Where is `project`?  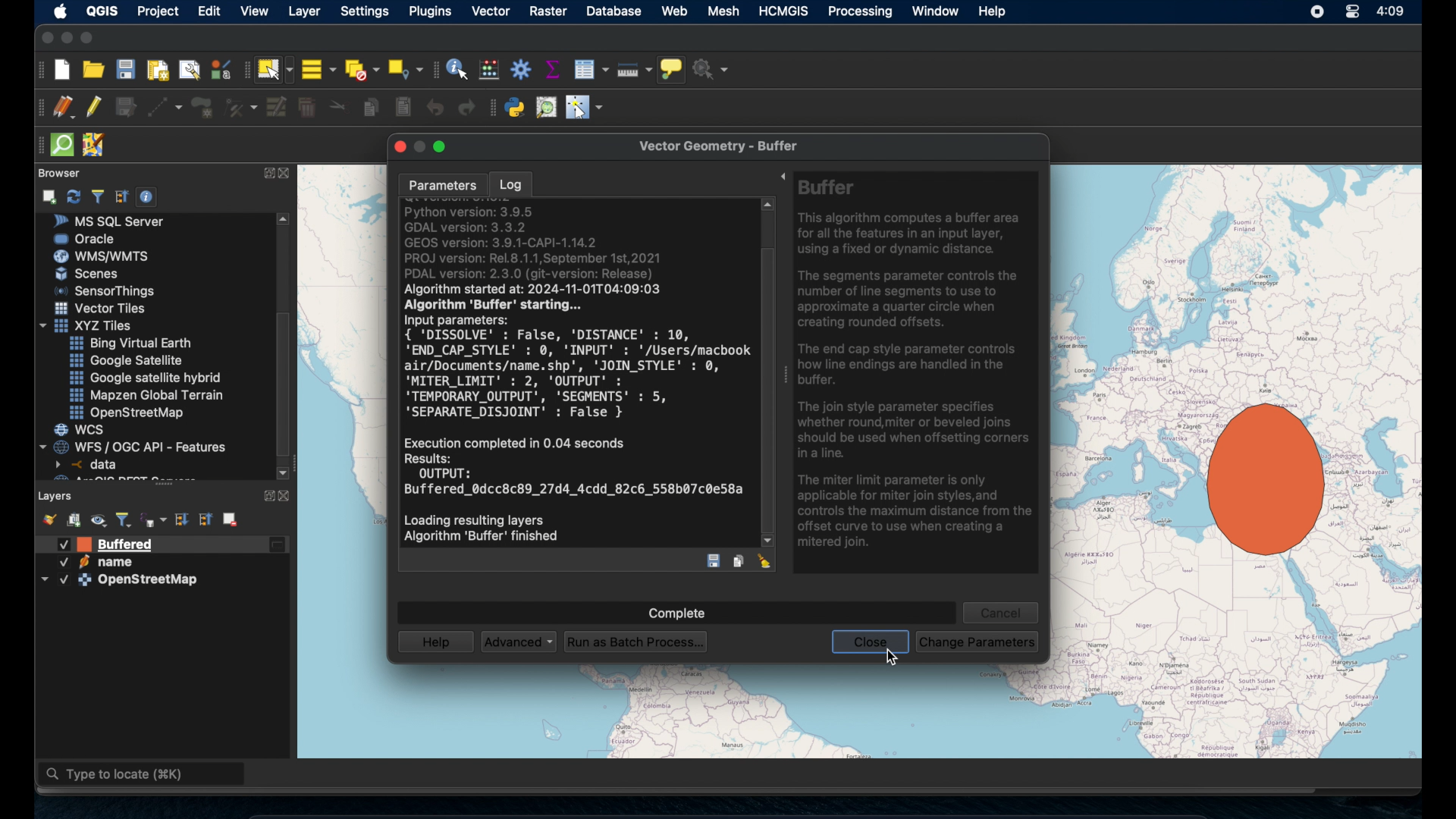 project is located at coordinates (161, 11).